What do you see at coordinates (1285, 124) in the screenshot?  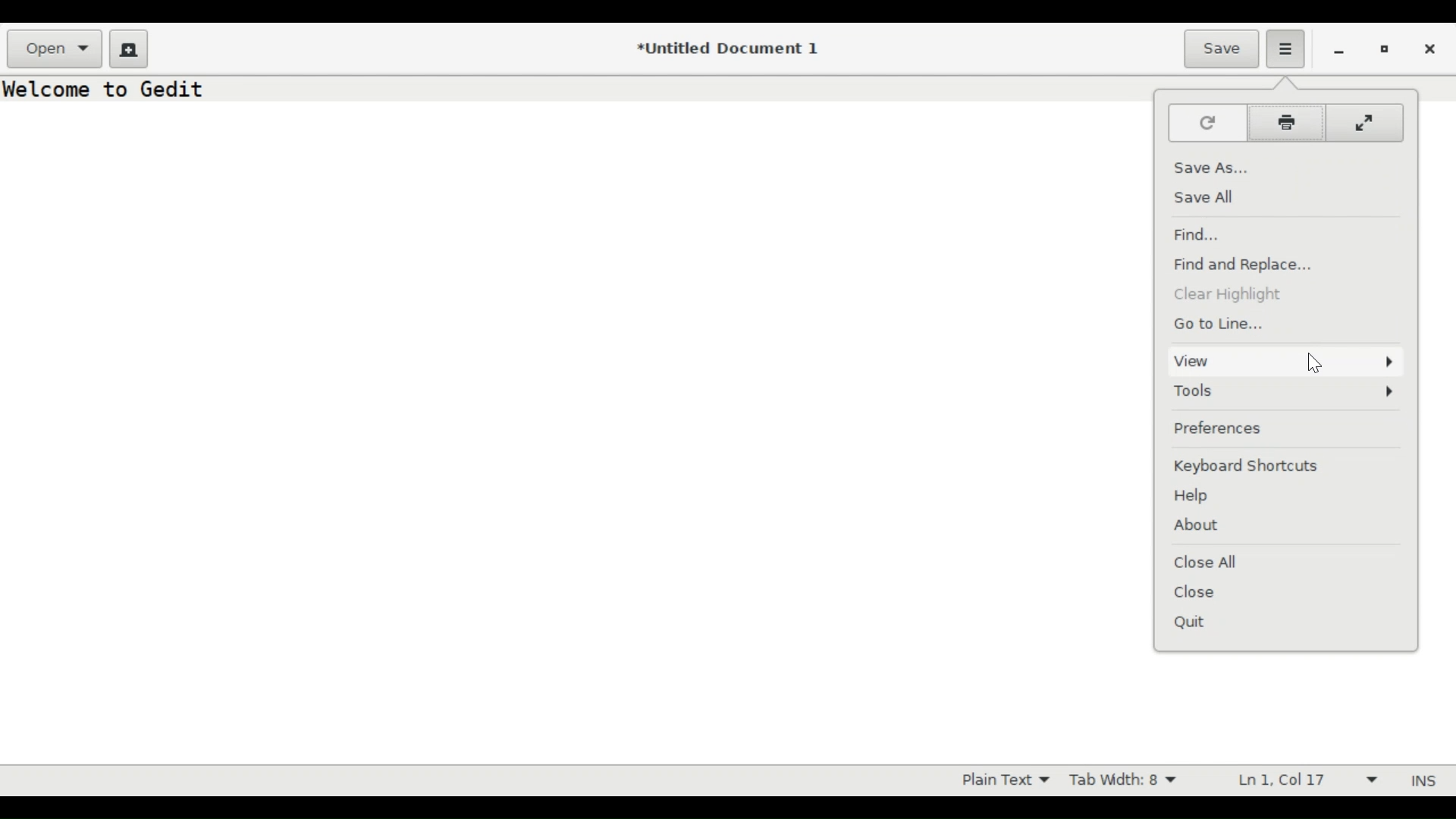 I see `Print` at bounding box center [1285, 124].